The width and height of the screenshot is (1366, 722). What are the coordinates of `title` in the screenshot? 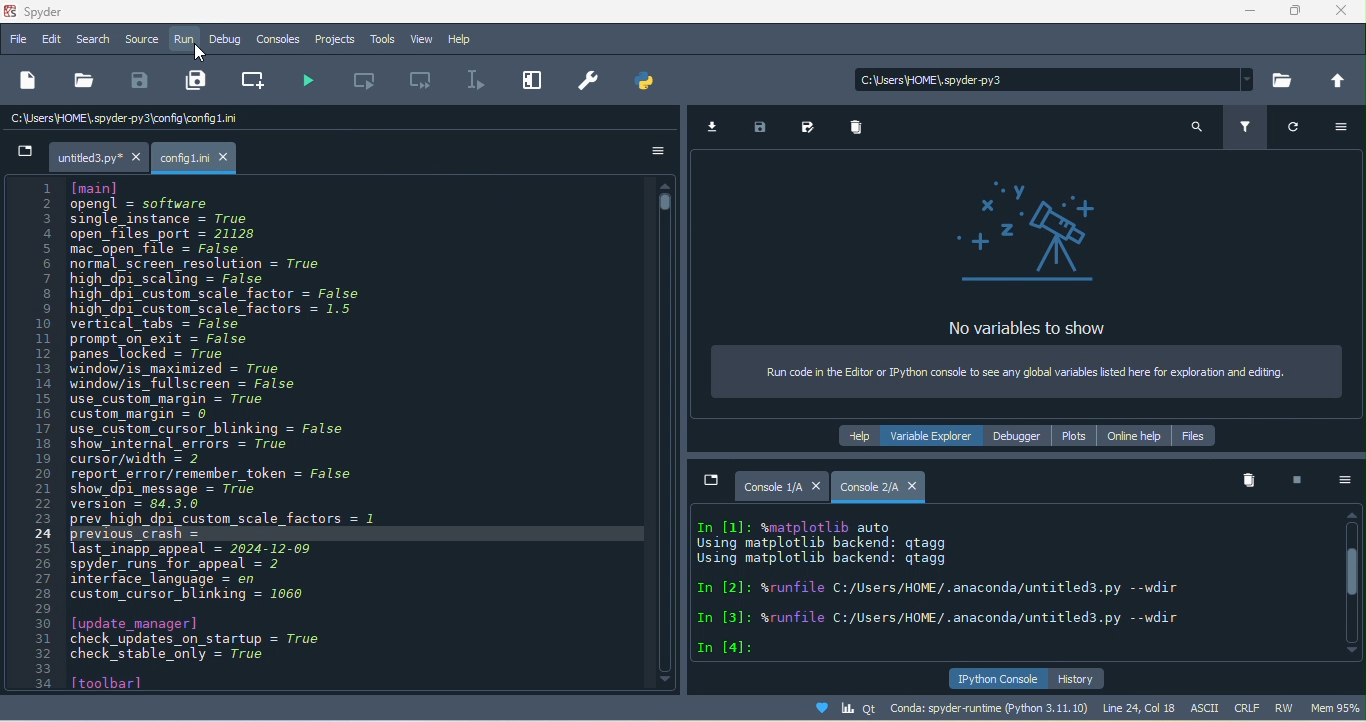 It's located at (47, 13).